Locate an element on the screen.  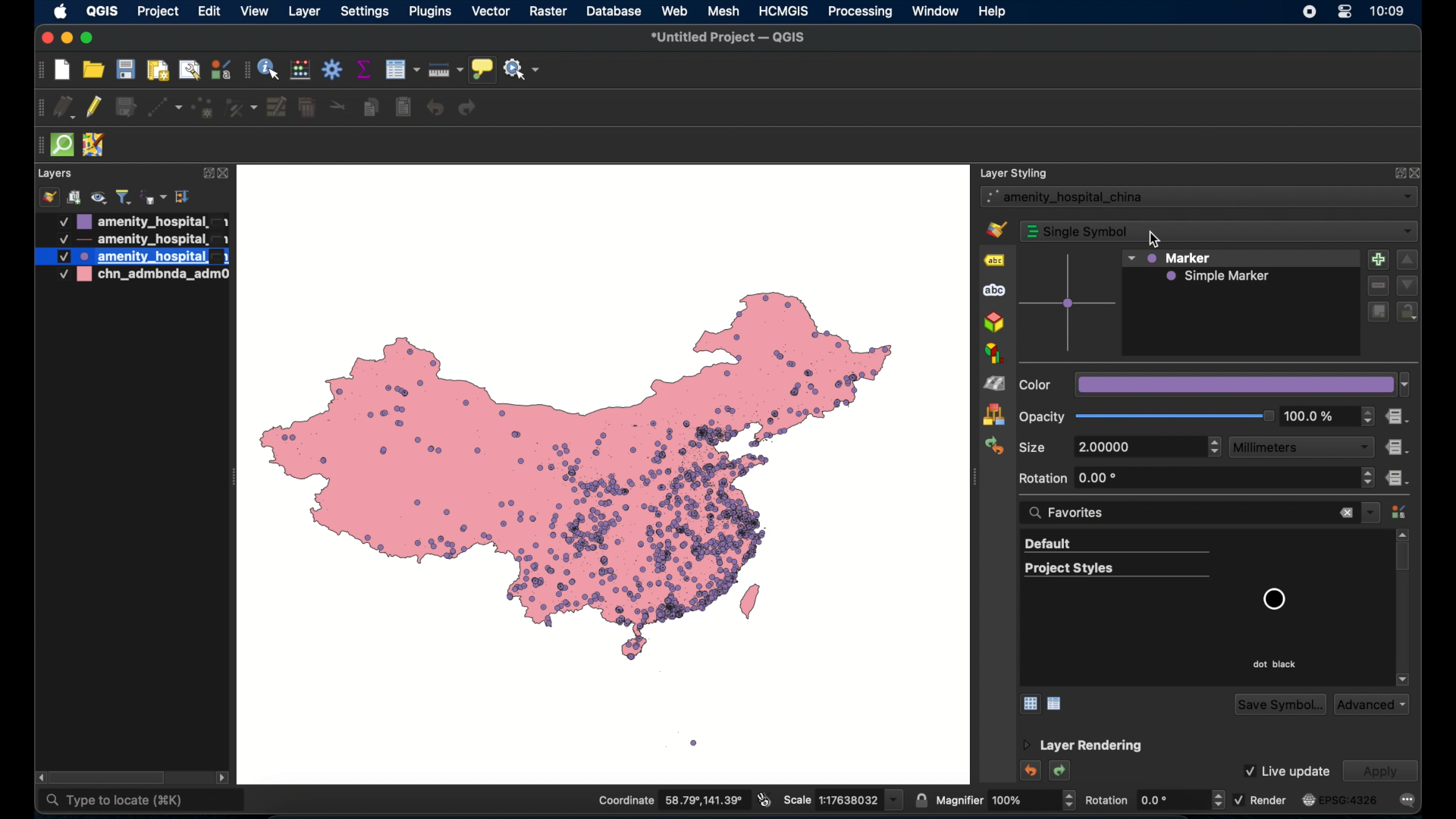
scroll left arrow is located at coordinates (36, 776).